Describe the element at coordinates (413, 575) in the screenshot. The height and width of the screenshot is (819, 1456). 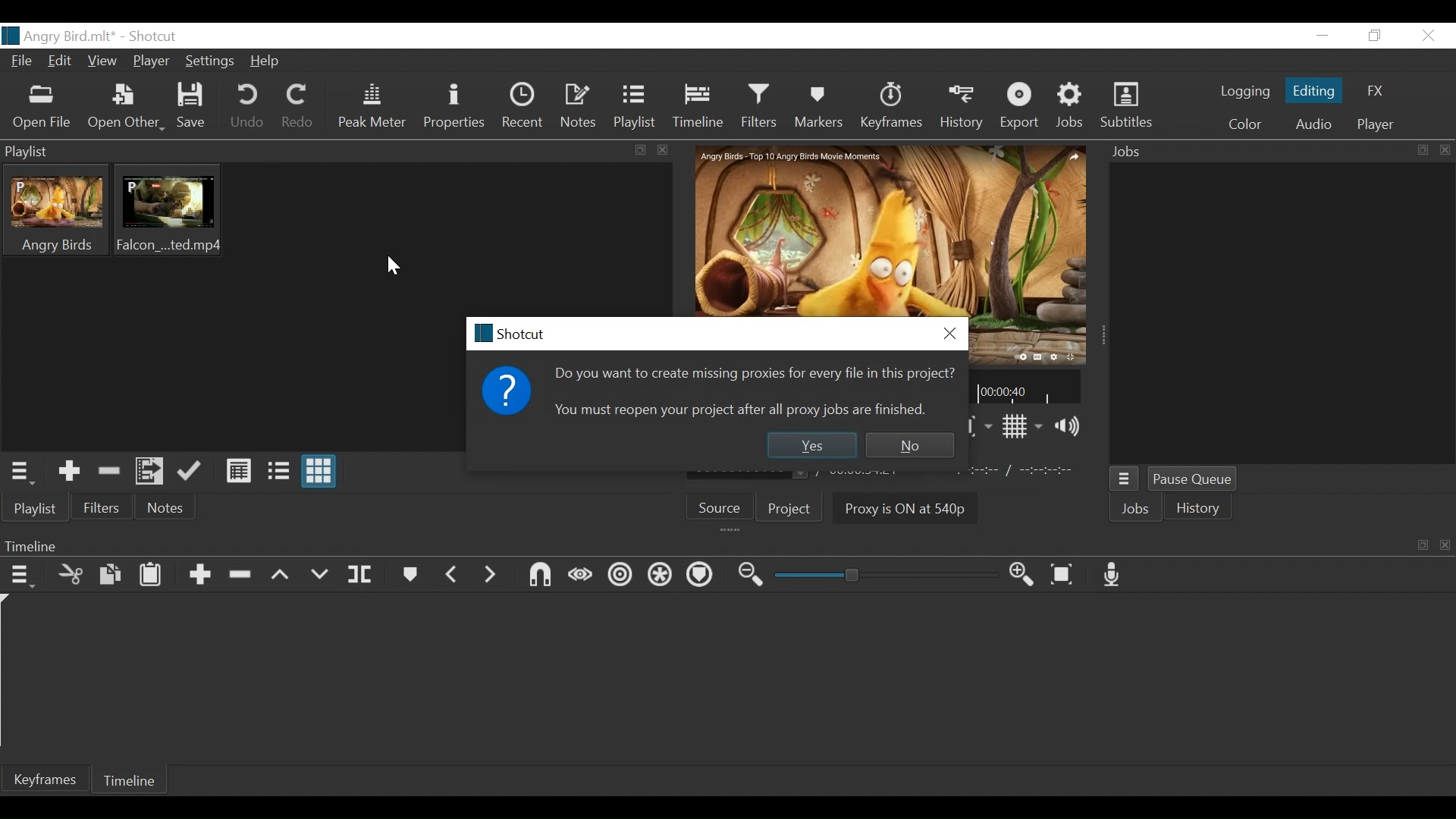
I see `Markers` at that location.